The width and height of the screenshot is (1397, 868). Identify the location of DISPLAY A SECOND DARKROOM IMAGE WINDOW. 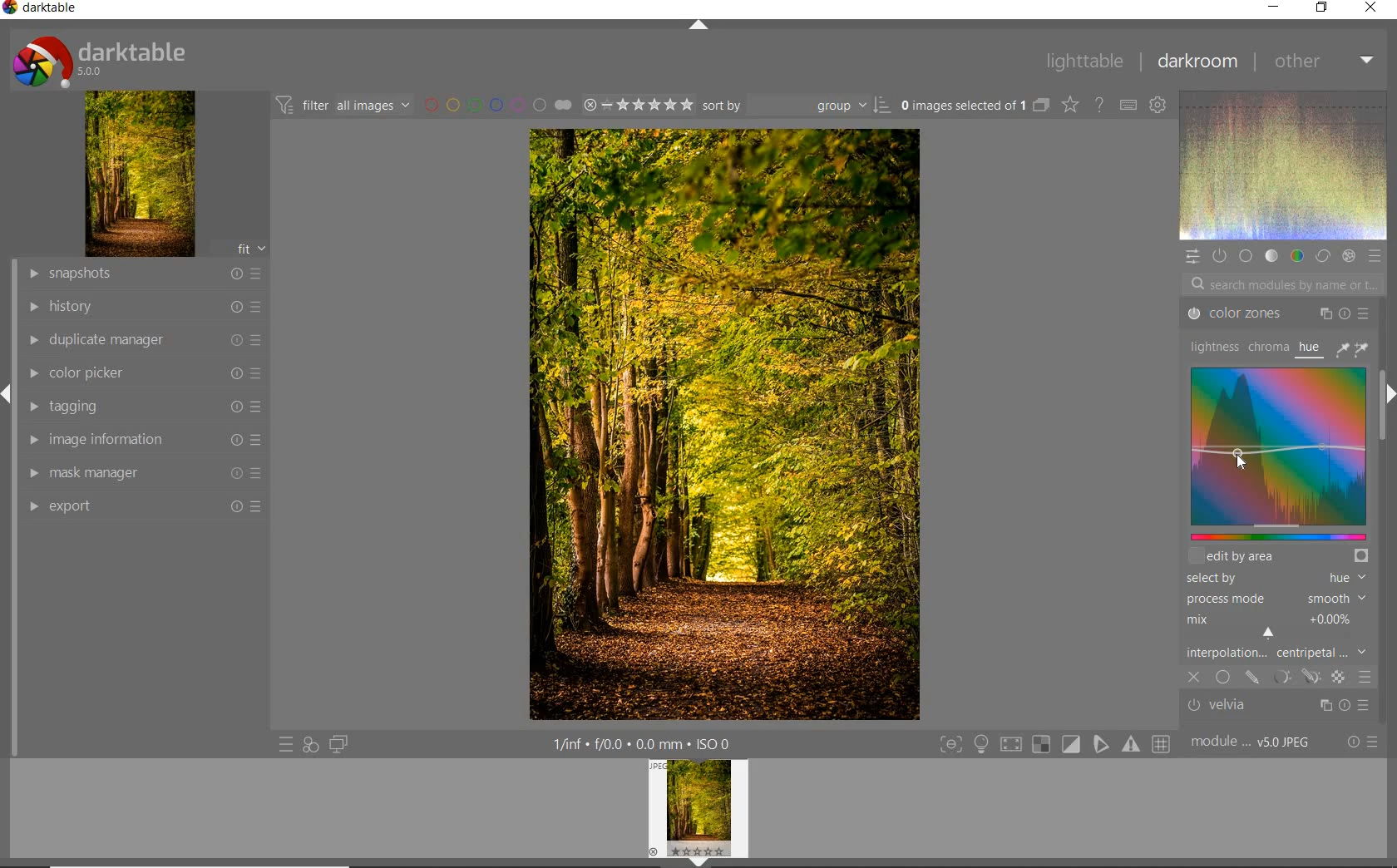
(338, 747).